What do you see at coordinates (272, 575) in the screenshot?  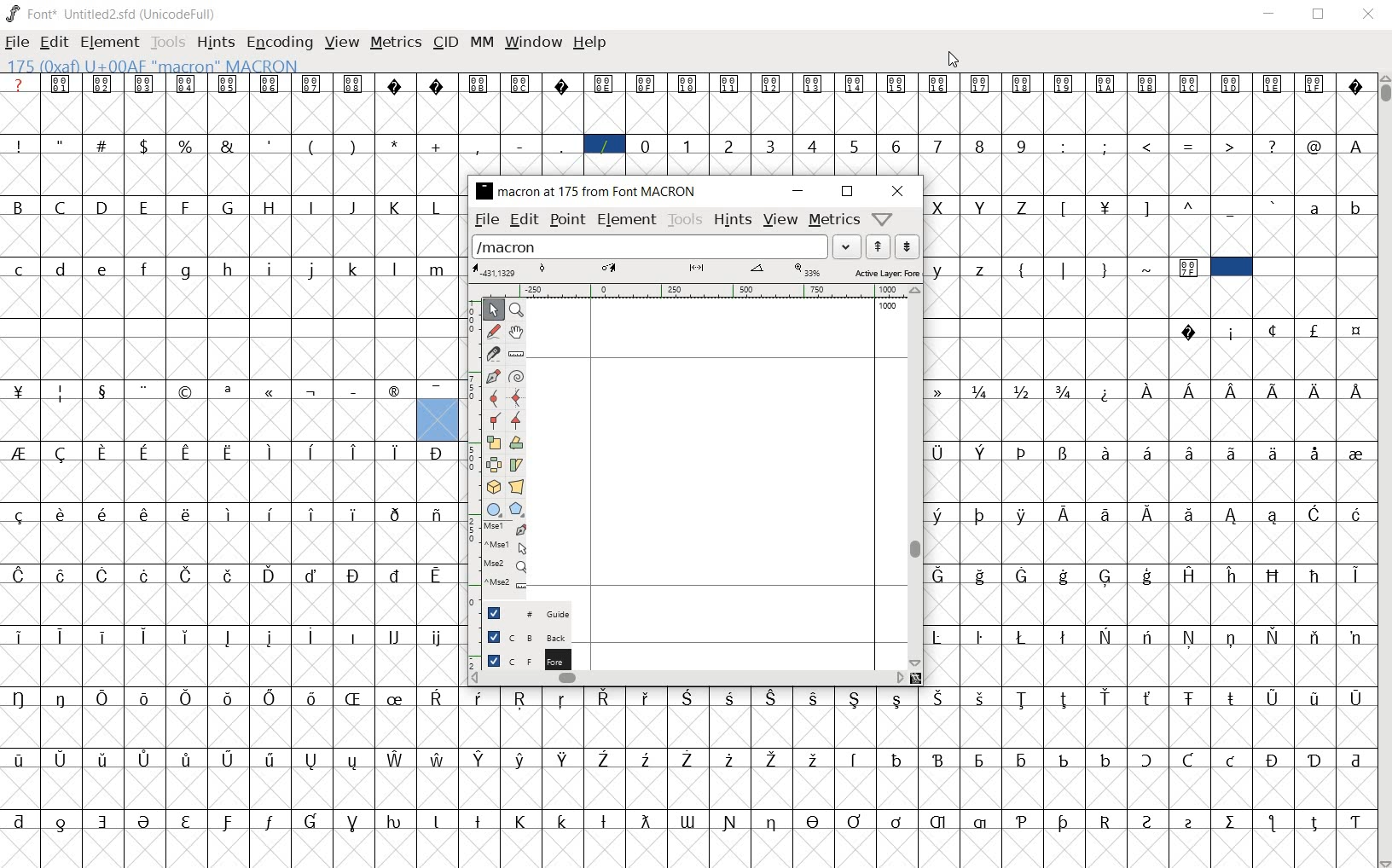 I see `Symbol` at bounding box center [272, 575].